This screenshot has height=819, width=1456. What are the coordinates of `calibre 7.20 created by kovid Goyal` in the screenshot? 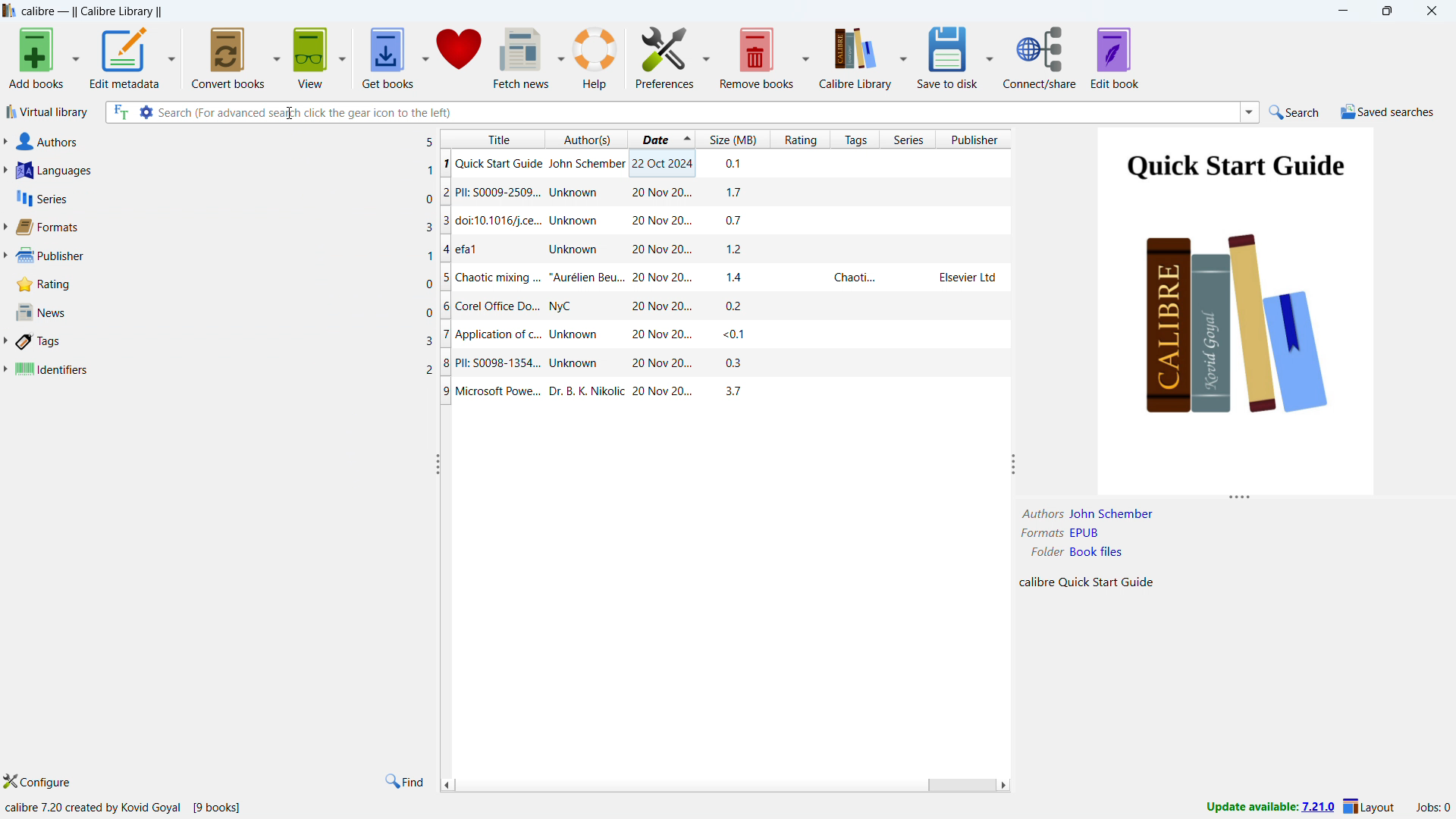 It's located at (93, 806).